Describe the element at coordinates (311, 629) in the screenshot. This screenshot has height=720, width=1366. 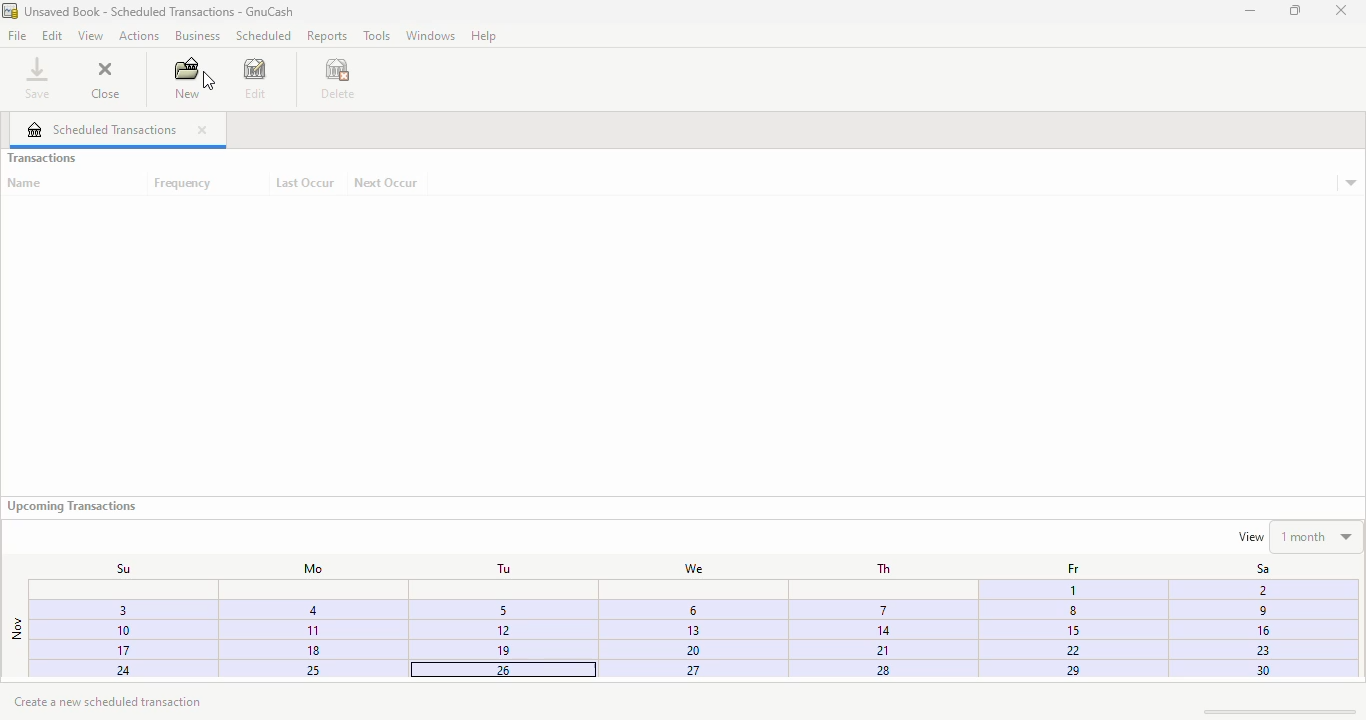
I see `1` at that location.